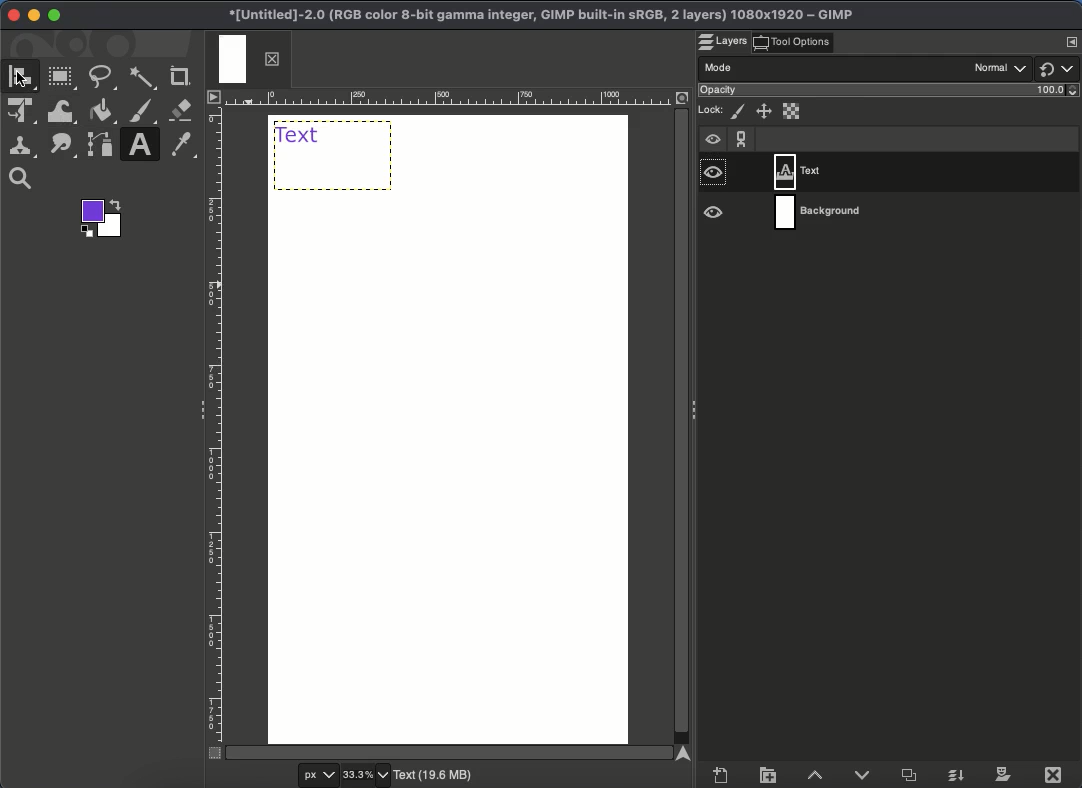 The height and width of the screenshot is (788, 1082). I want to click on Create layer group, so click(768, 774).